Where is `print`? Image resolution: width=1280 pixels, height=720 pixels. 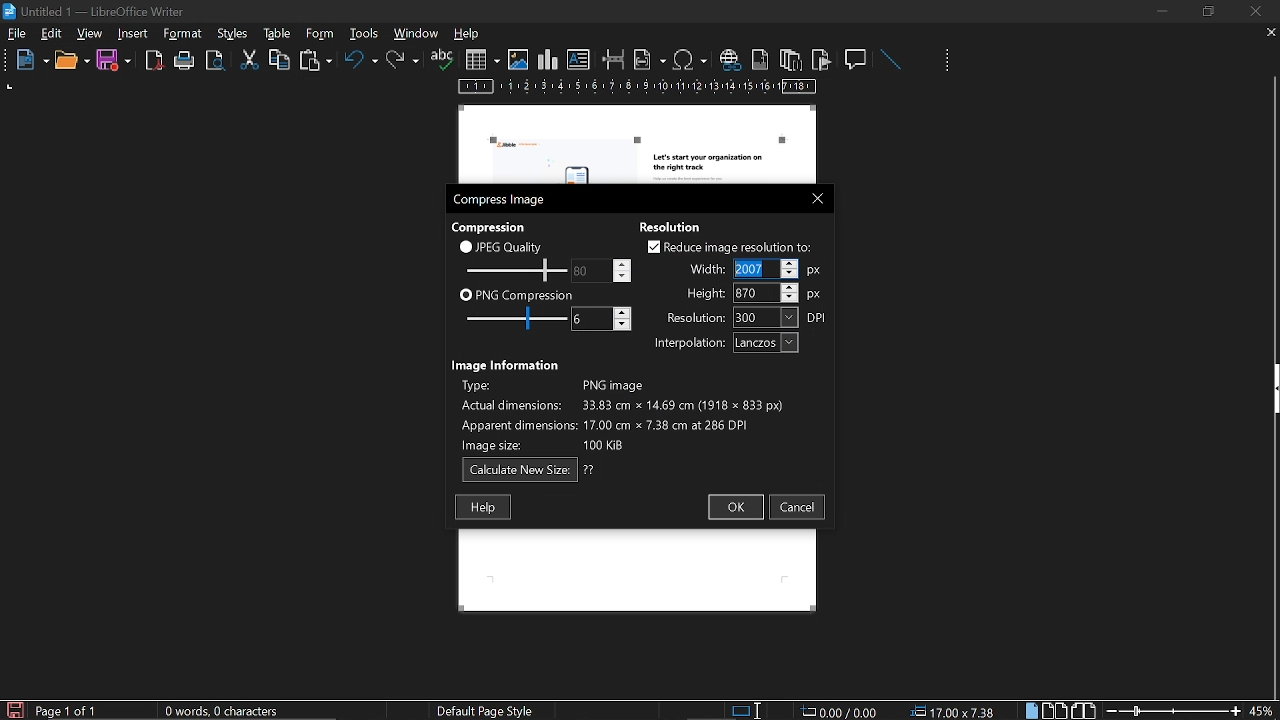
print is located at coordinates (185, 61).